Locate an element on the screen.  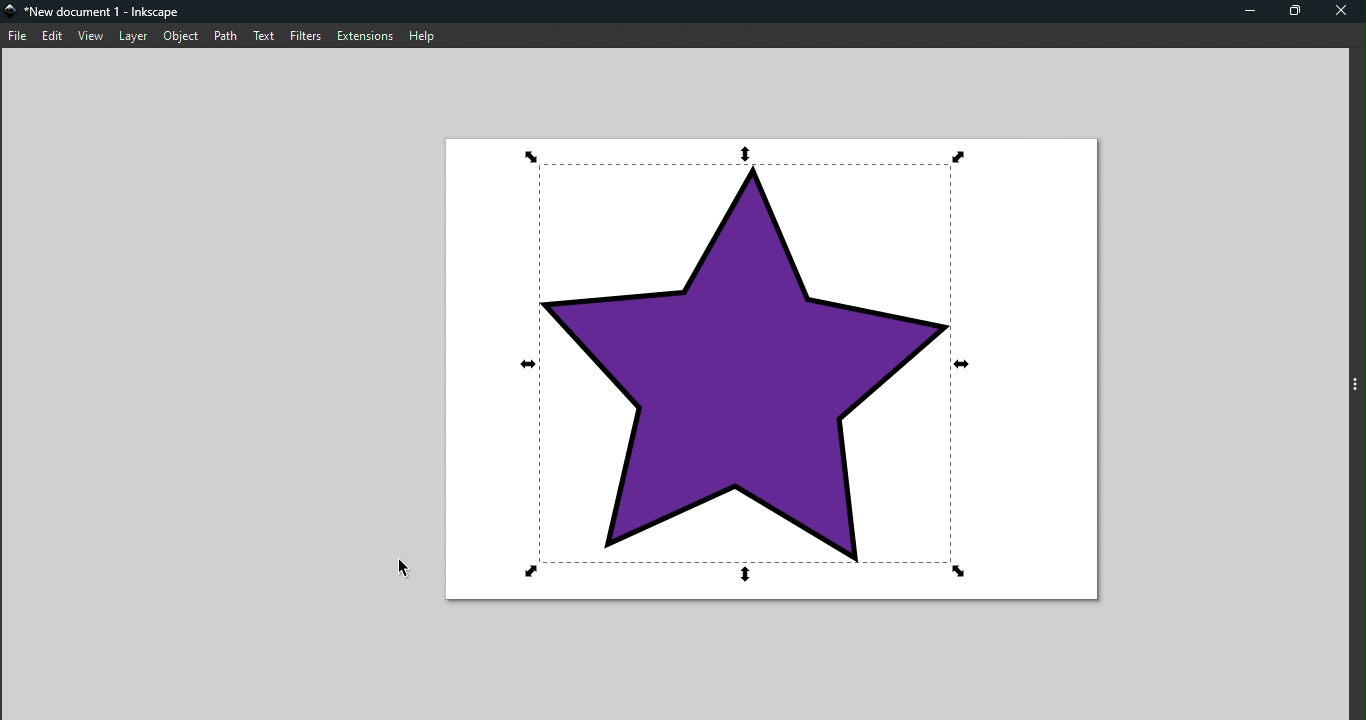
Maximize is located at coordinates (1295, 11).